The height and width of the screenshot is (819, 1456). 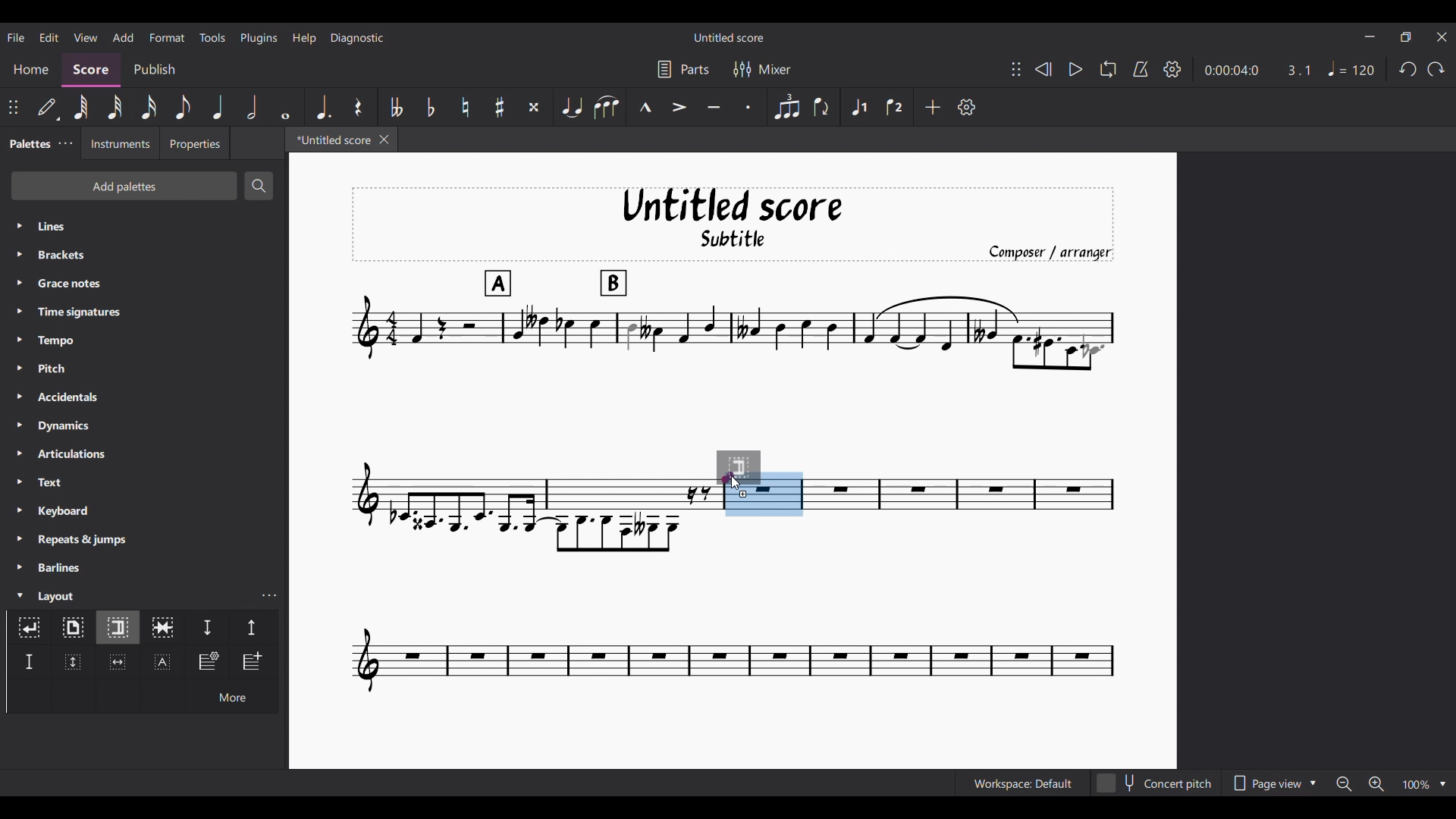 What do you see at coordinates (269, 595) in the screenshot?
I see `Layout palette settings` at bounding box center [269, 595].